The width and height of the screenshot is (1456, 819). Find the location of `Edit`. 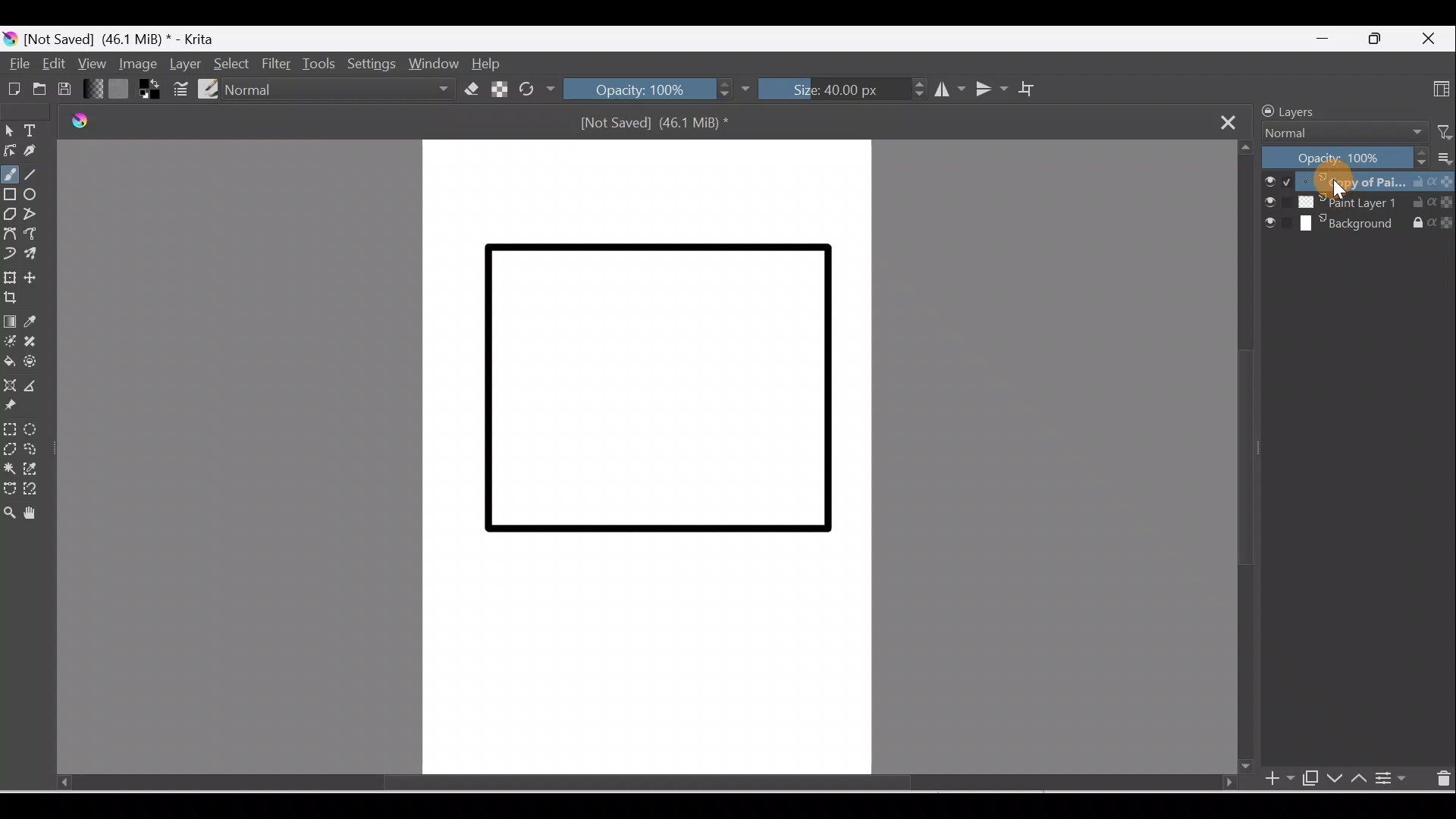

Edit is located at coordinates (51, 62).